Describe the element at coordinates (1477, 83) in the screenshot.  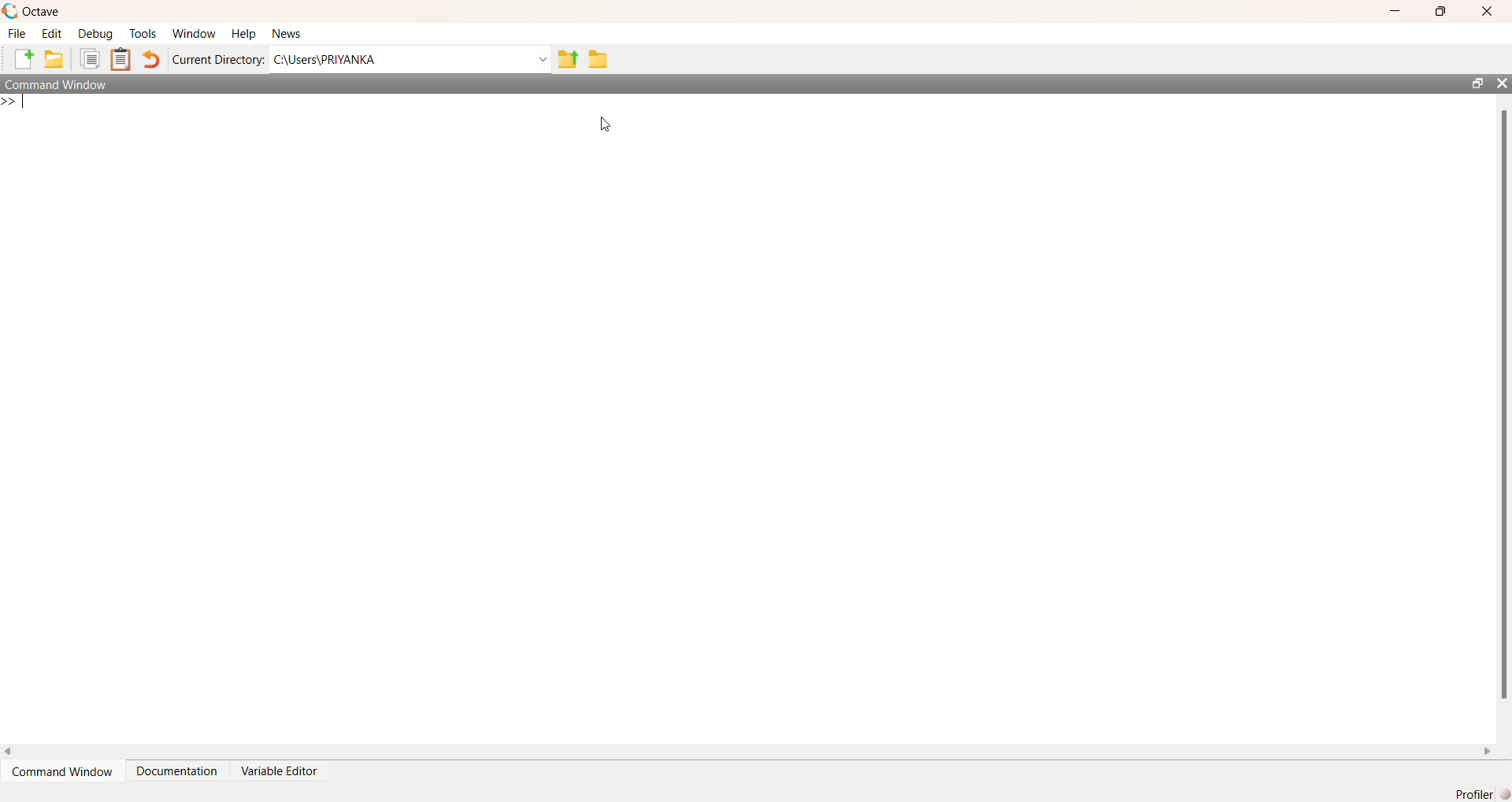
I see `resize` at that location.